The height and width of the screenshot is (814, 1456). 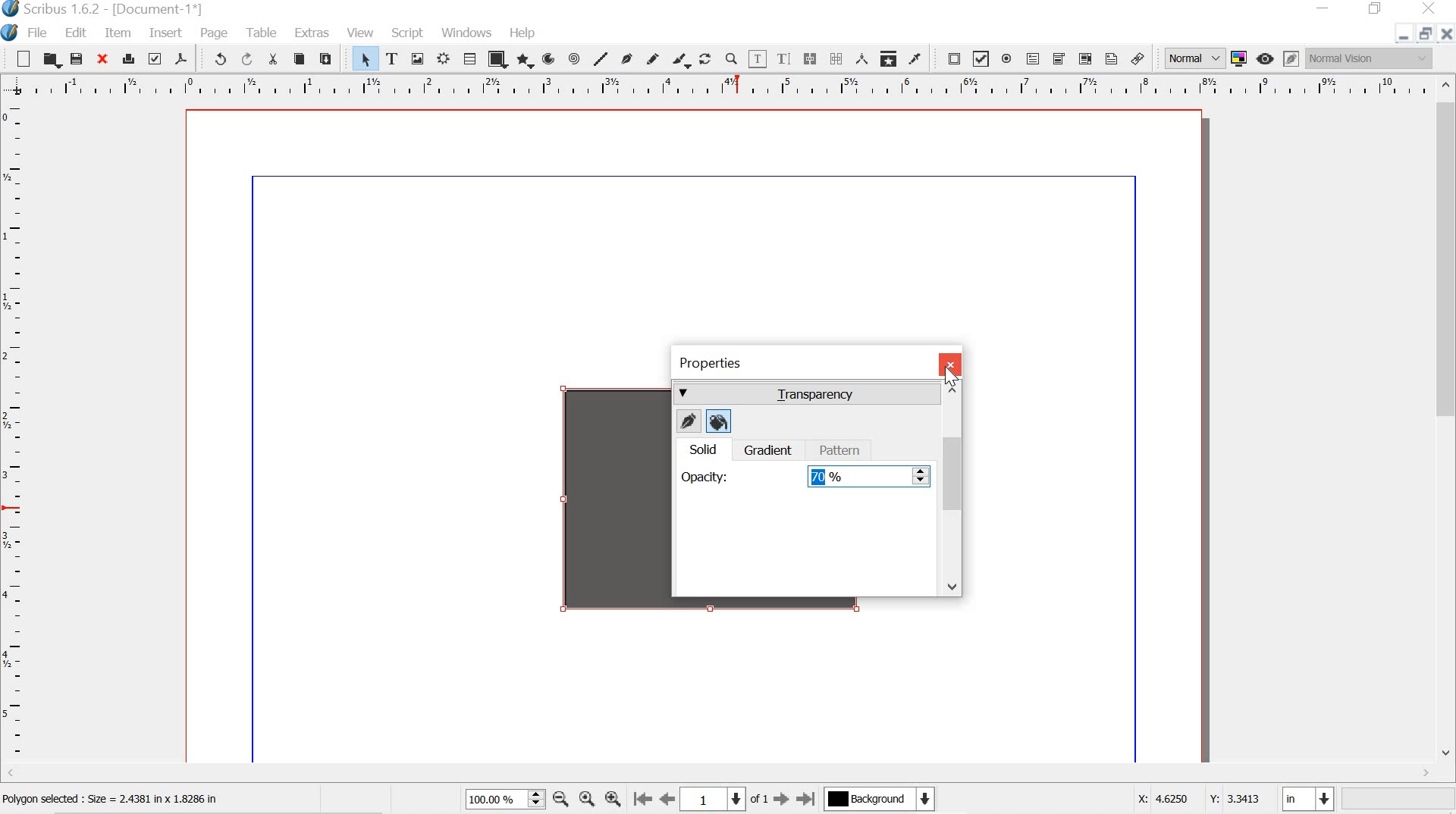 What do you see at coordinates (12, 33) in the screenshot?
I see `scribus logo` at bounding box center [12, 33].